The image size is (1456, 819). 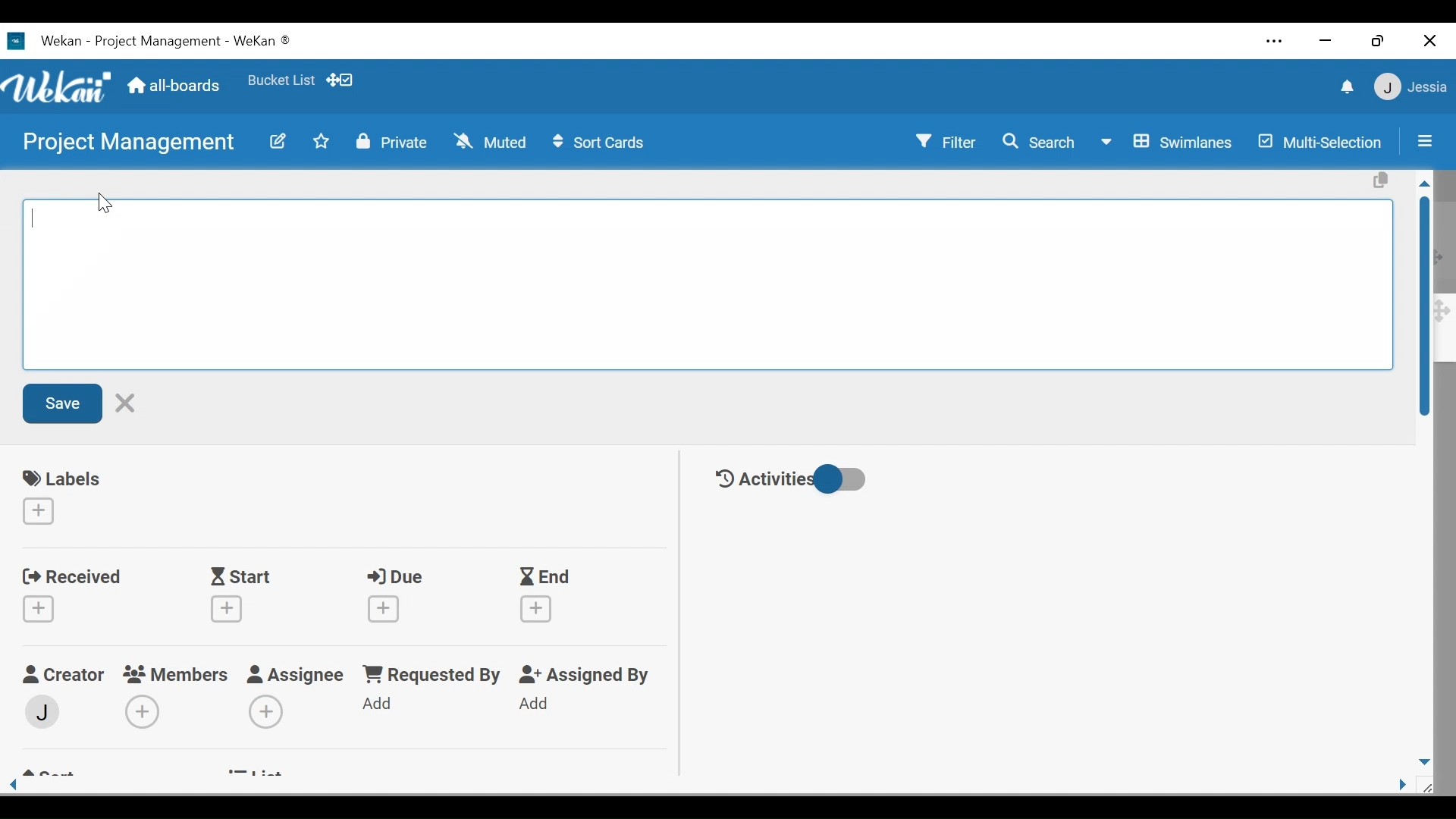 I want to click on Add Requested By, so click(x=378, y=704).